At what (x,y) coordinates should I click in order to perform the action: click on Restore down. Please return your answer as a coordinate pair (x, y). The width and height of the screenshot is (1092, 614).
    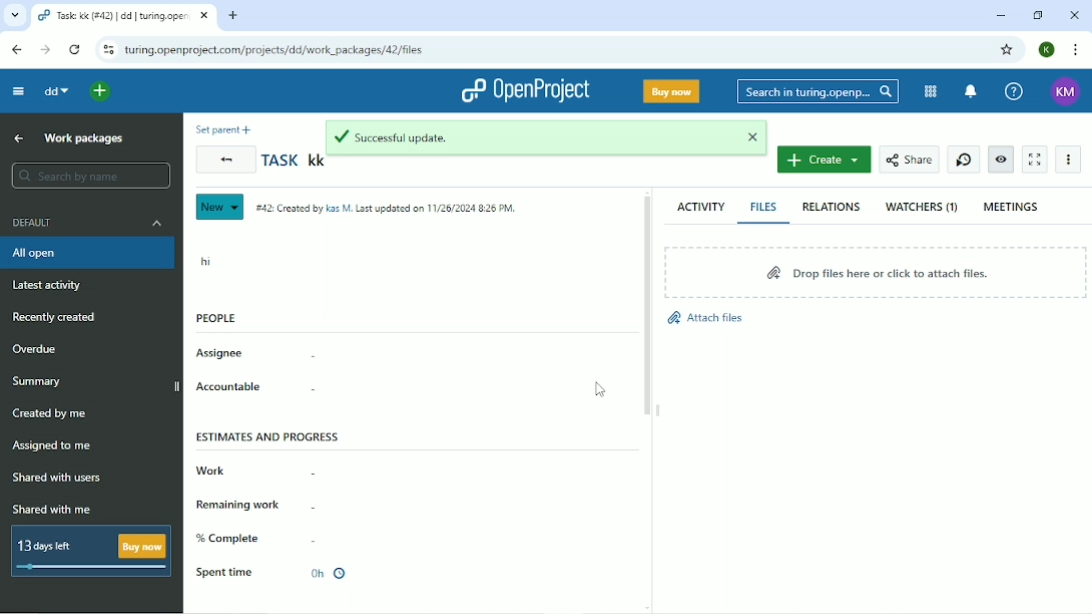
    Looking at the image, I should click on (1040, 15).